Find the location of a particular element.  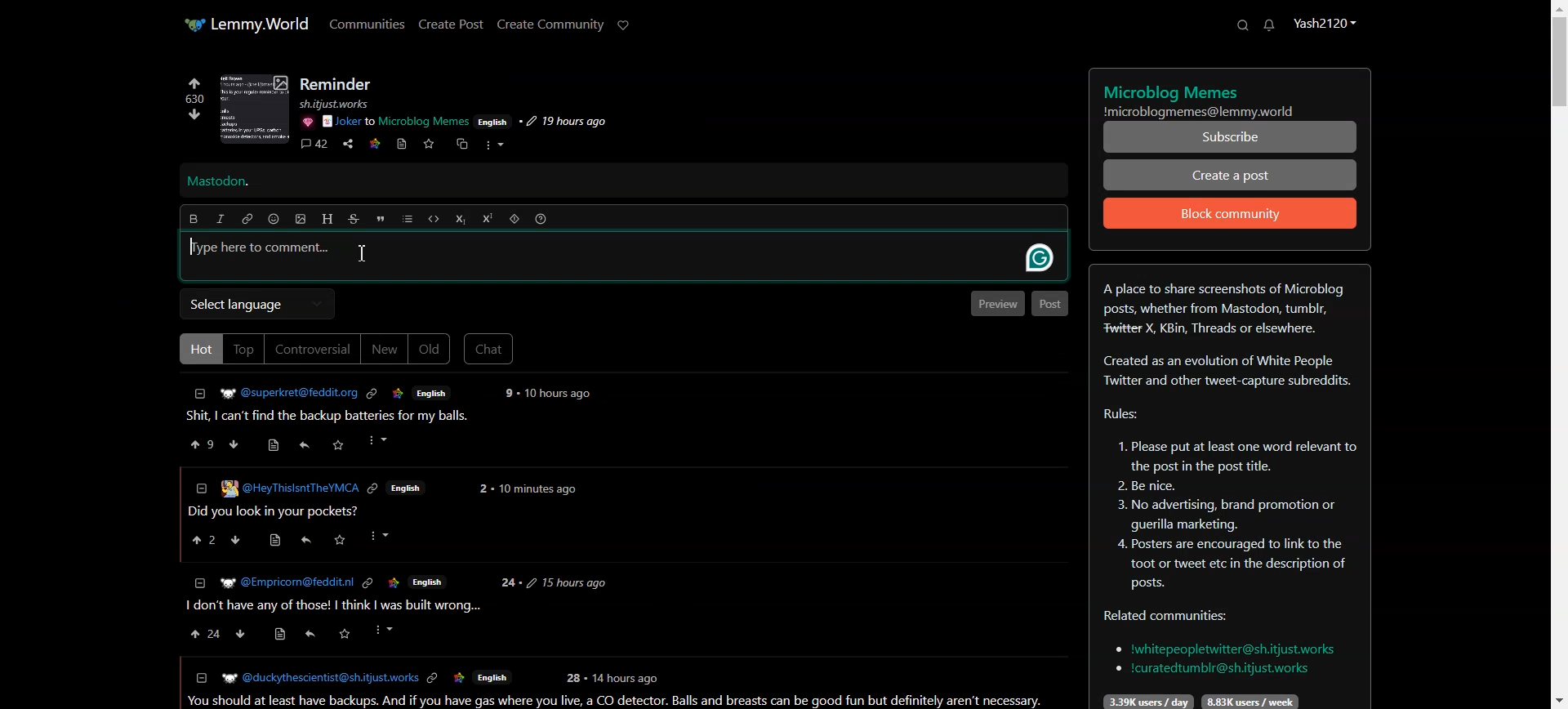

Create Post is located at coordinates (450, 24).